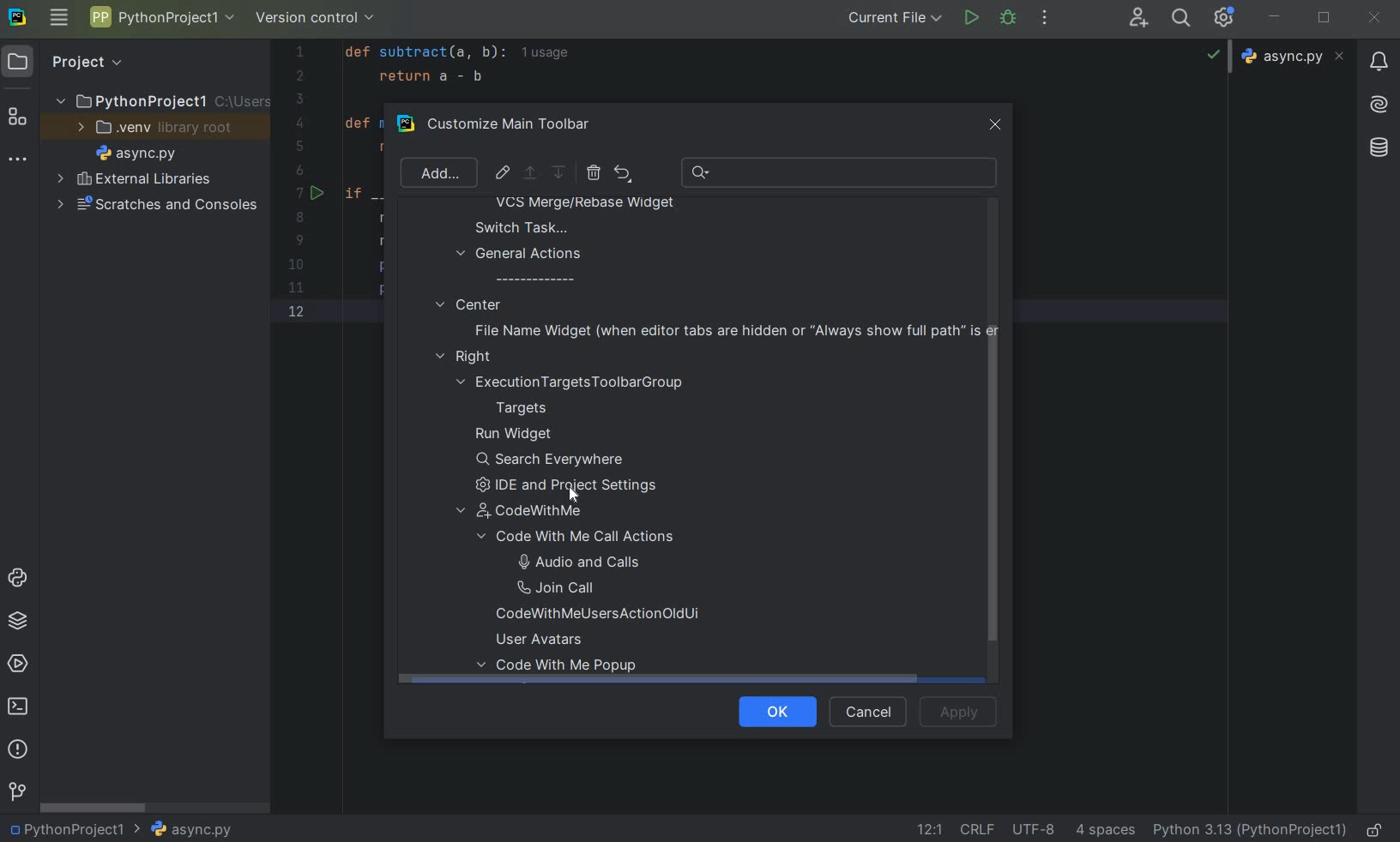 This screenshot has height=842, width=1400. What do you see at coordinates (18, 665) in the screenshot?
I see `SERVICES` at bounding box center [18, 665].